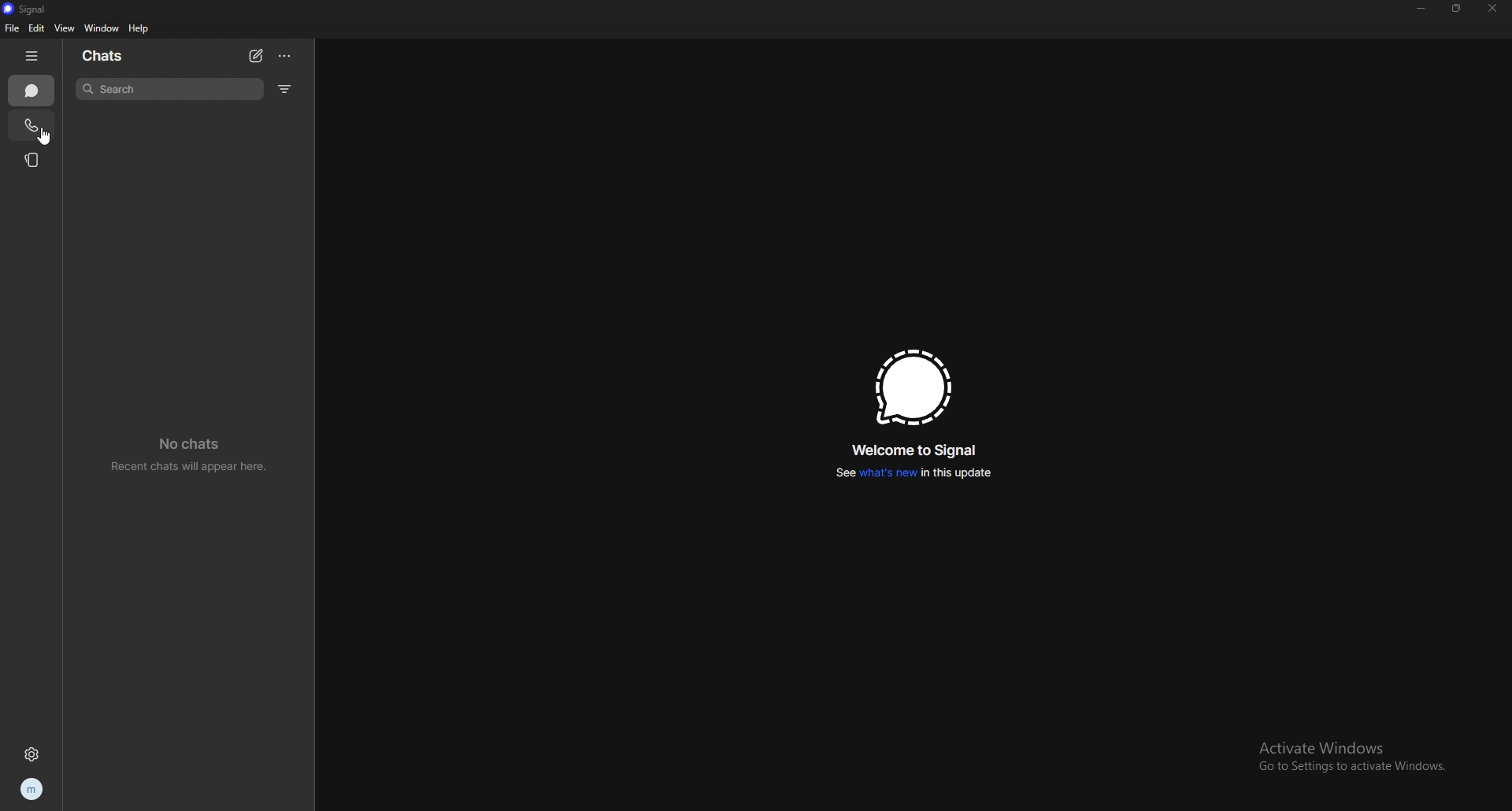  I want to click on view, so click(67, 28).